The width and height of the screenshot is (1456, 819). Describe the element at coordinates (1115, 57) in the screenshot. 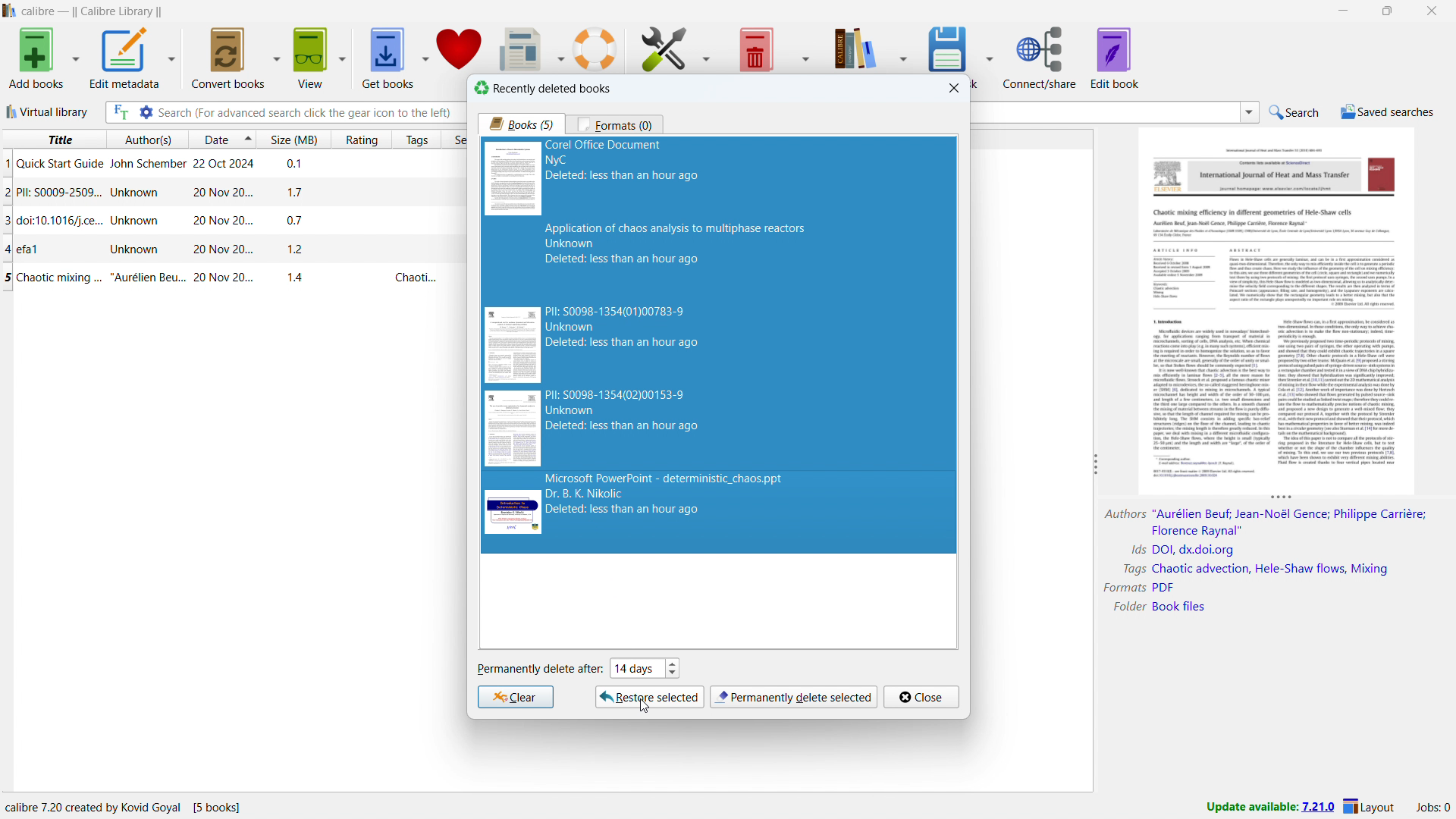

I see `edit book` at that location.